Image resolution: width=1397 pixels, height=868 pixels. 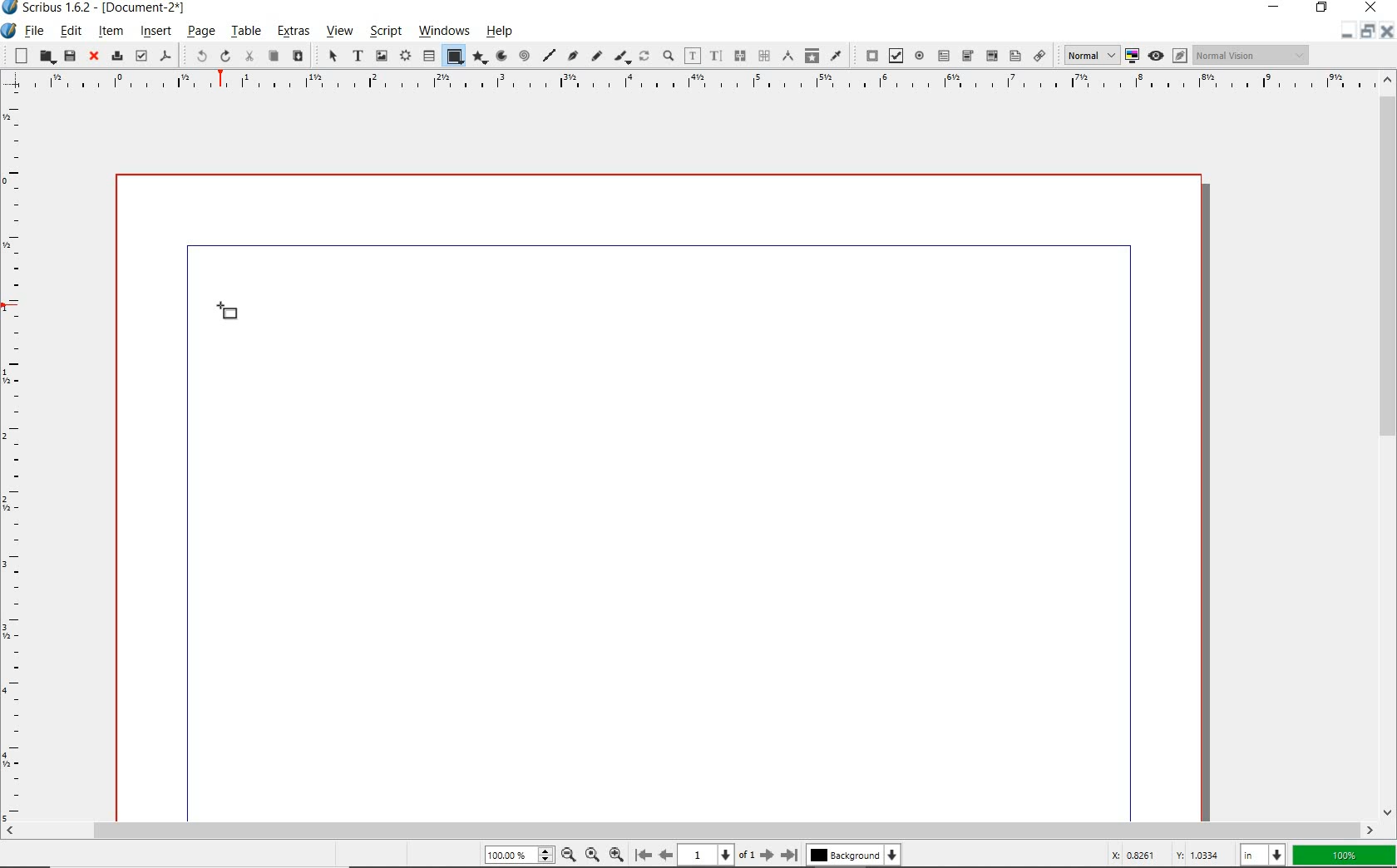 I want to click on open, so click(x=45, y=57).